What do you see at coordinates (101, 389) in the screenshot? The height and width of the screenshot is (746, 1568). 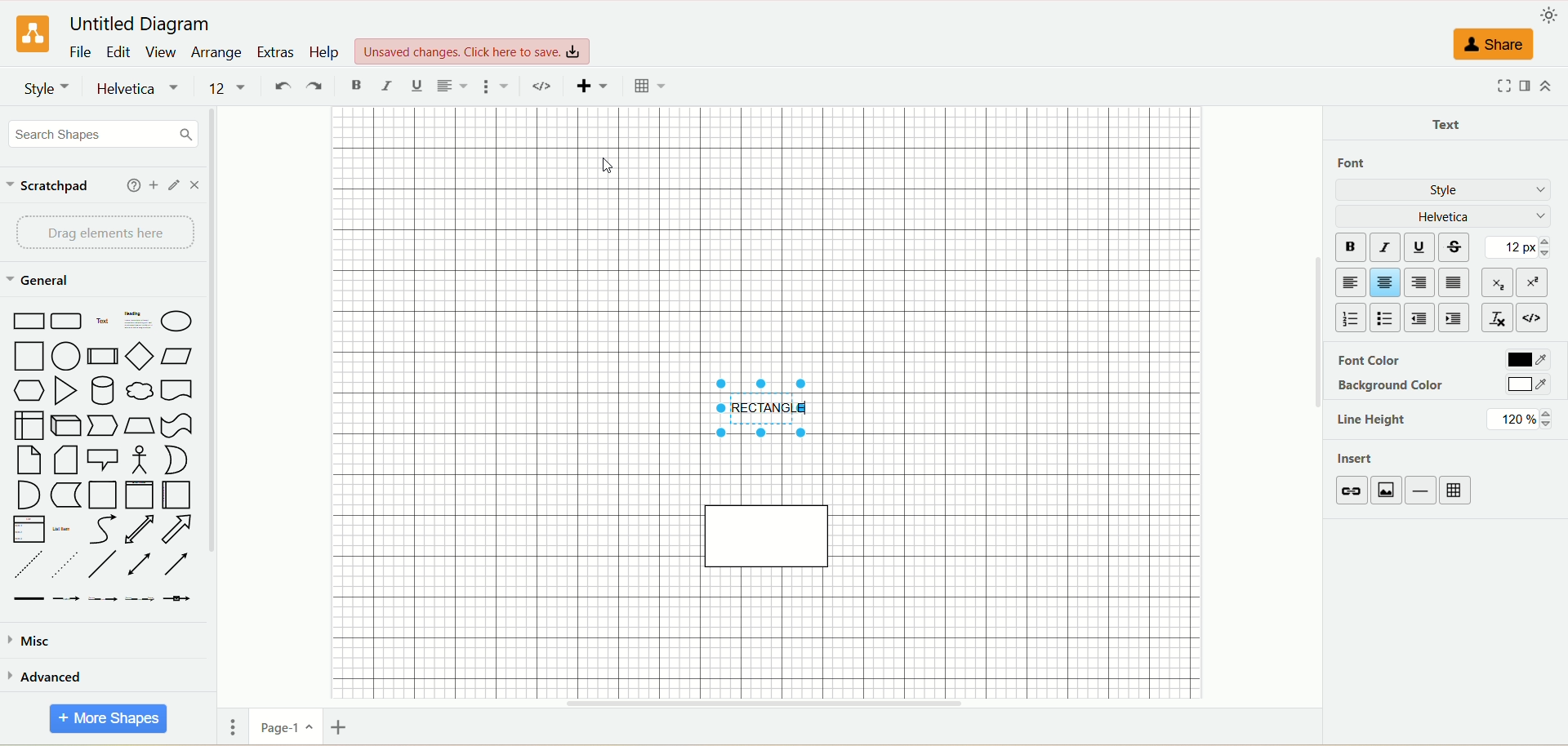 I see `cylinder` at bounding box center [101, 389].